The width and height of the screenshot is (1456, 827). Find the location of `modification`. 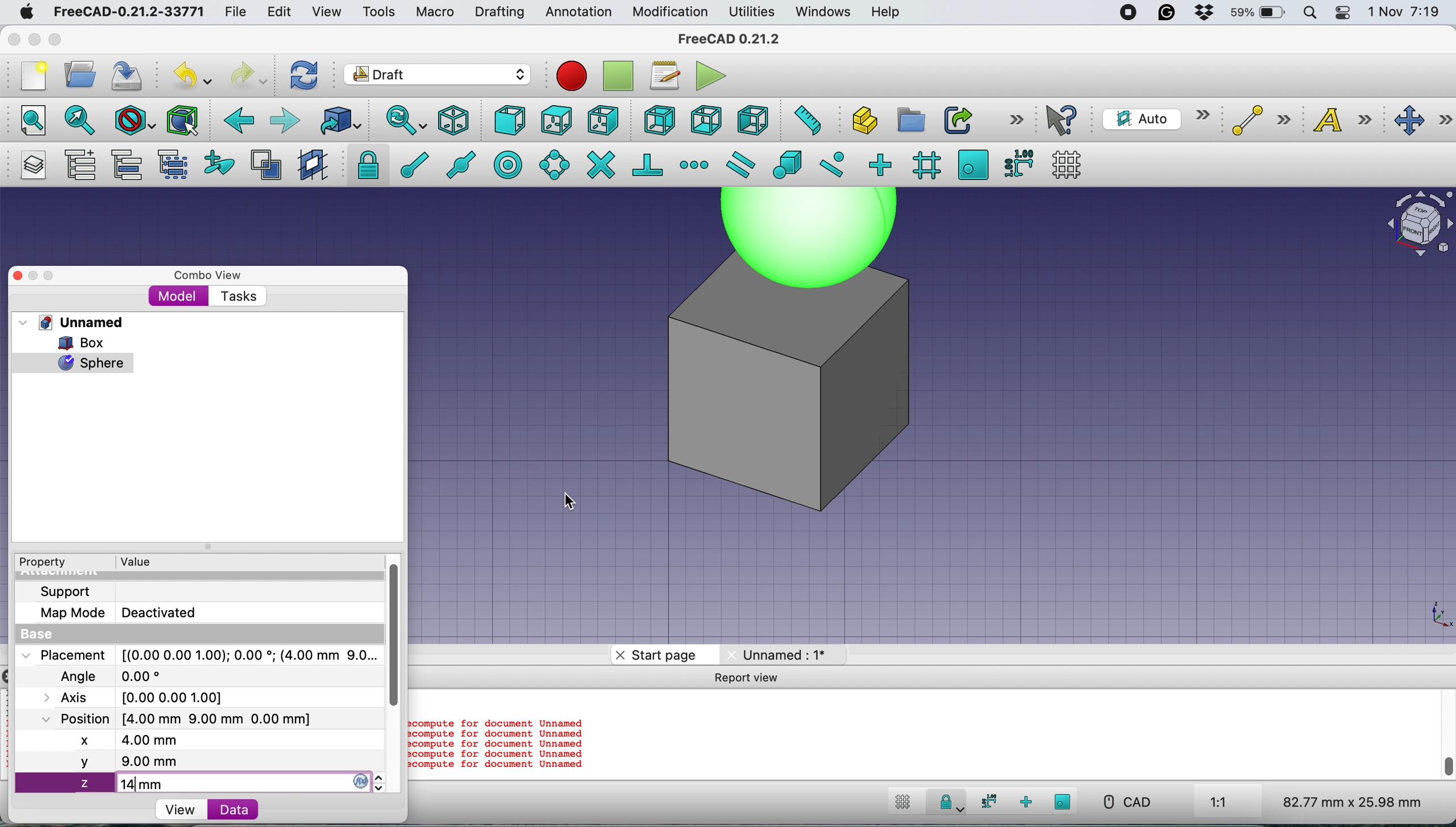

modification is located at coordinates (669, 12).